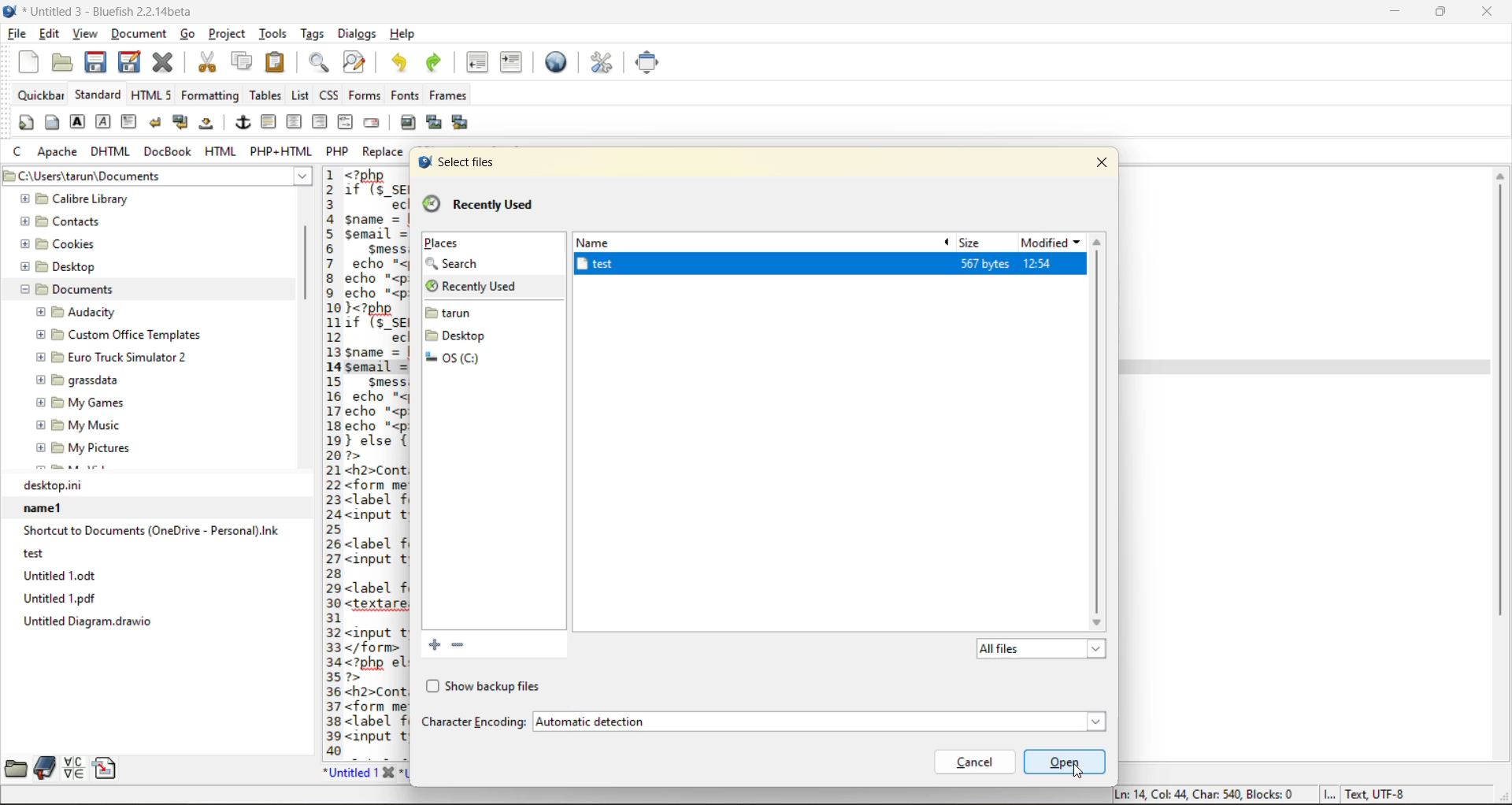 This screenshot has height=805, width=1512. I want to click on Untitled 1.pdf, so click(155, 598).